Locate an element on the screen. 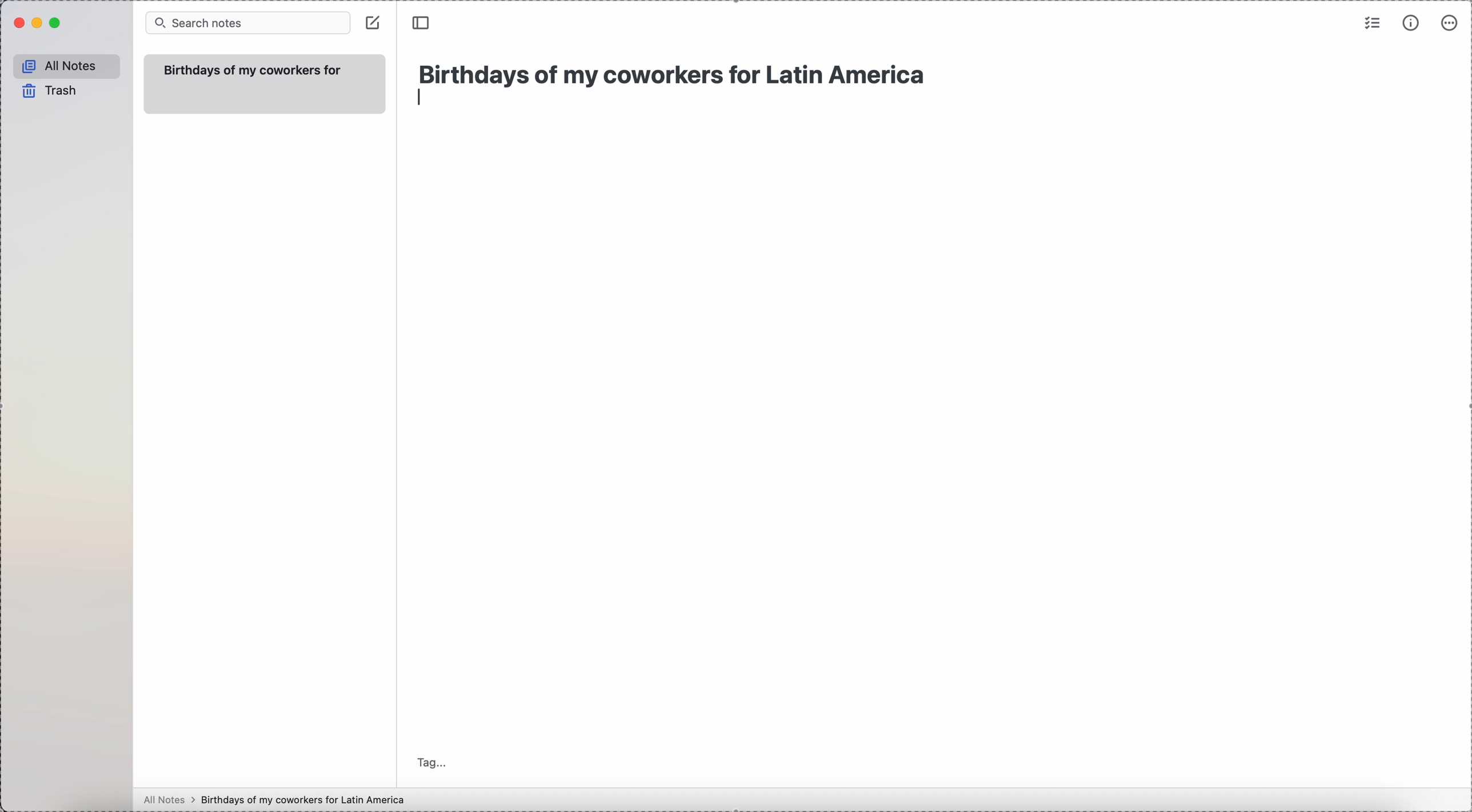 Image resolution: width=1472 pixels, height=812 pixels. search bar is located at coordinates (247, 22).